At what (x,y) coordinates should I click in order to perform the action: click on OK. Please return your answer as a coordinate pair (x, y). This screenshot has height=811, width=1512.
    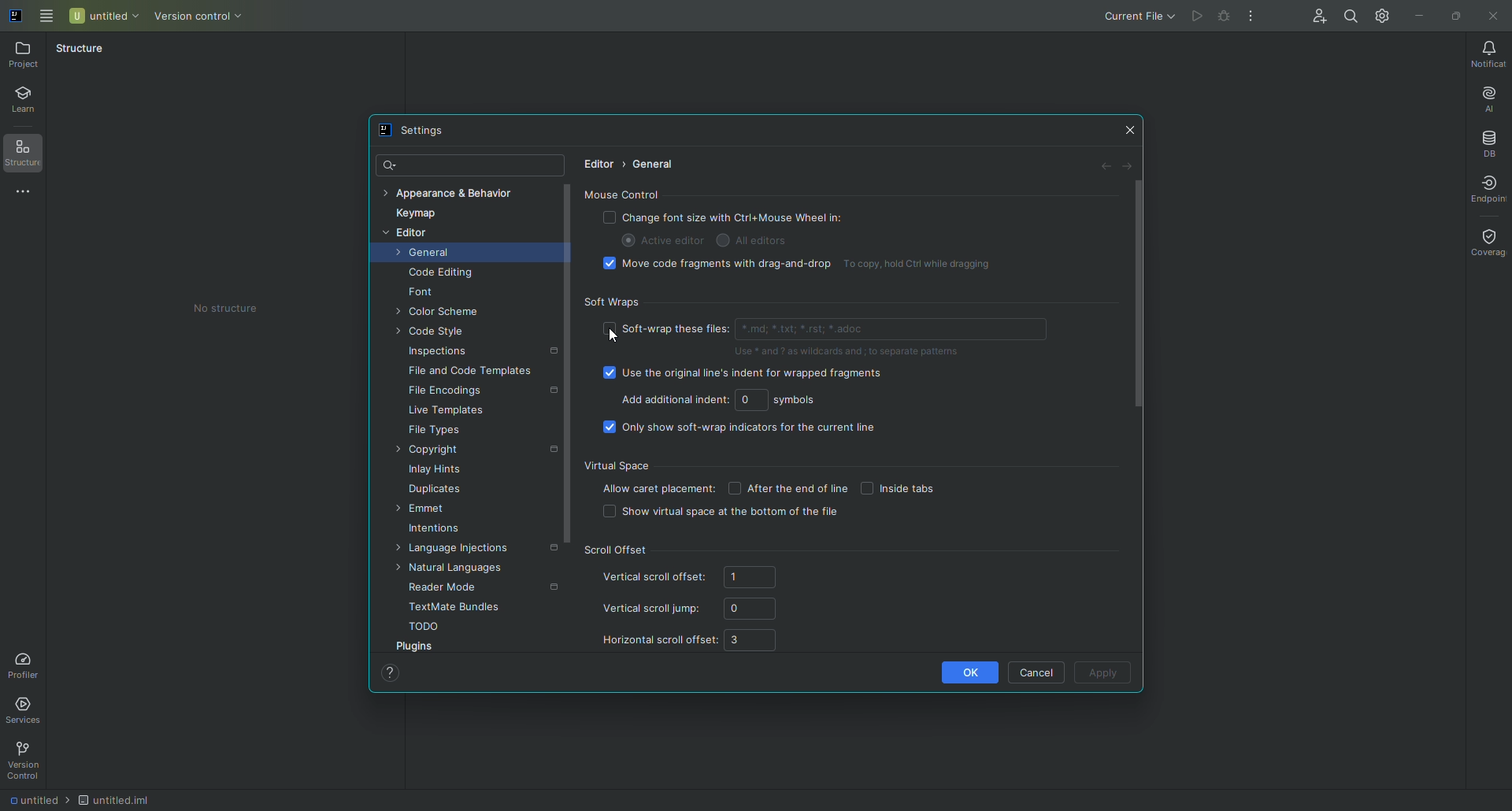
    Looking at the image, I should click on (961, 672).